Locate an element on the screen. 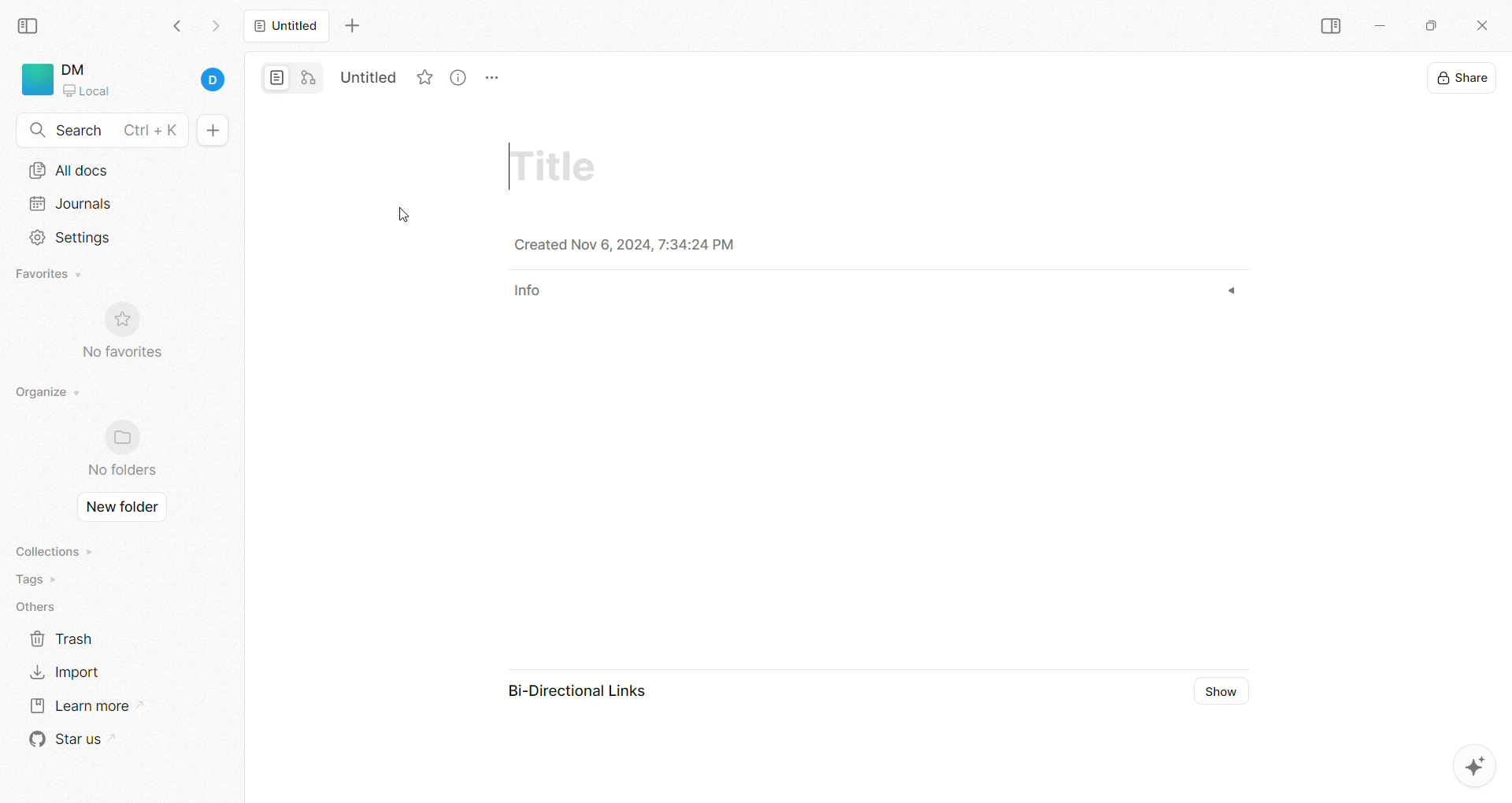 The image size is (1512, 803). cursor is located at coordinates (403, 216).